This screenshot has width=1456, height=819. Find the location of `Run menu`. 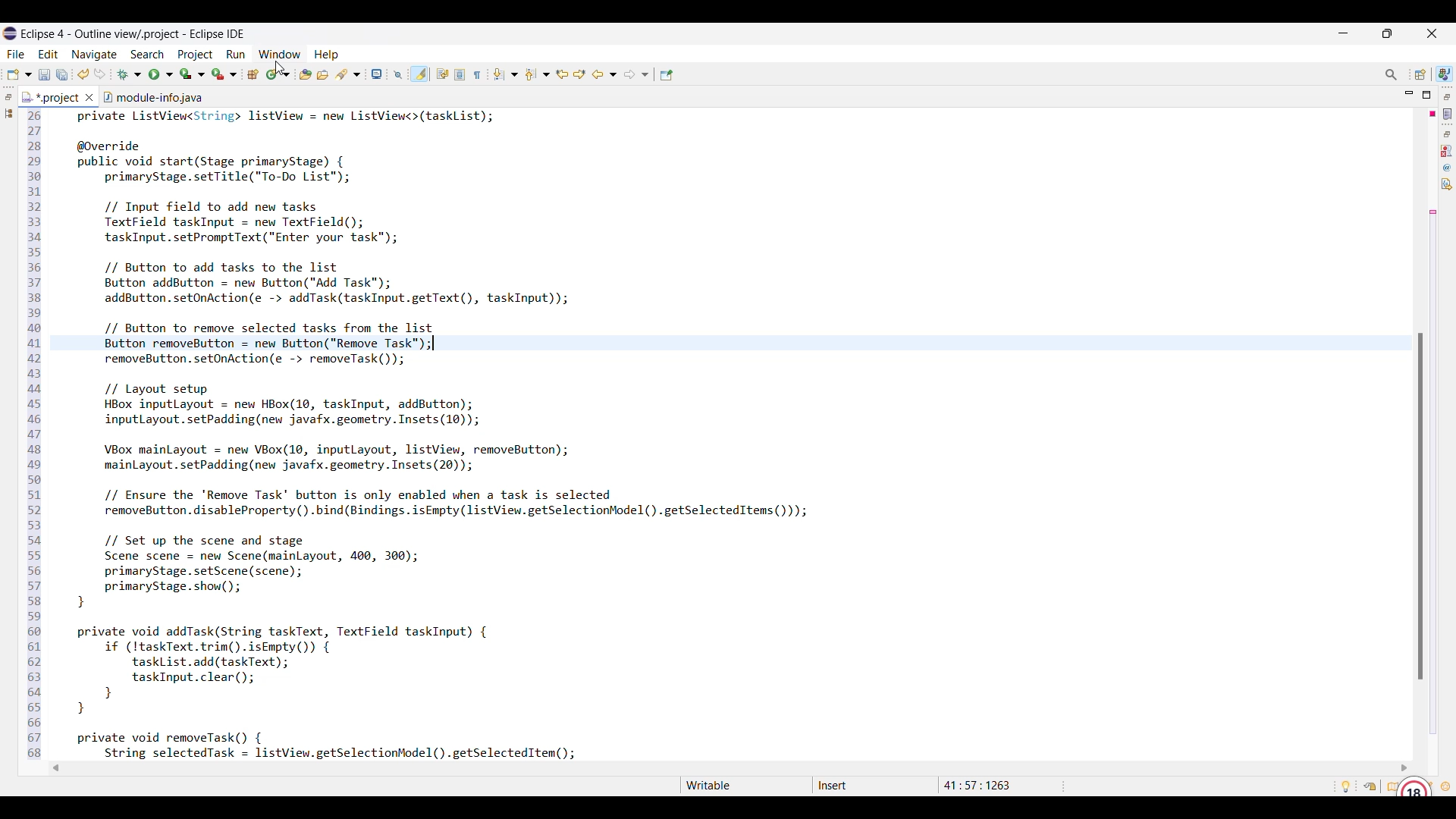

Run menu is located at coordinates (236, 55).